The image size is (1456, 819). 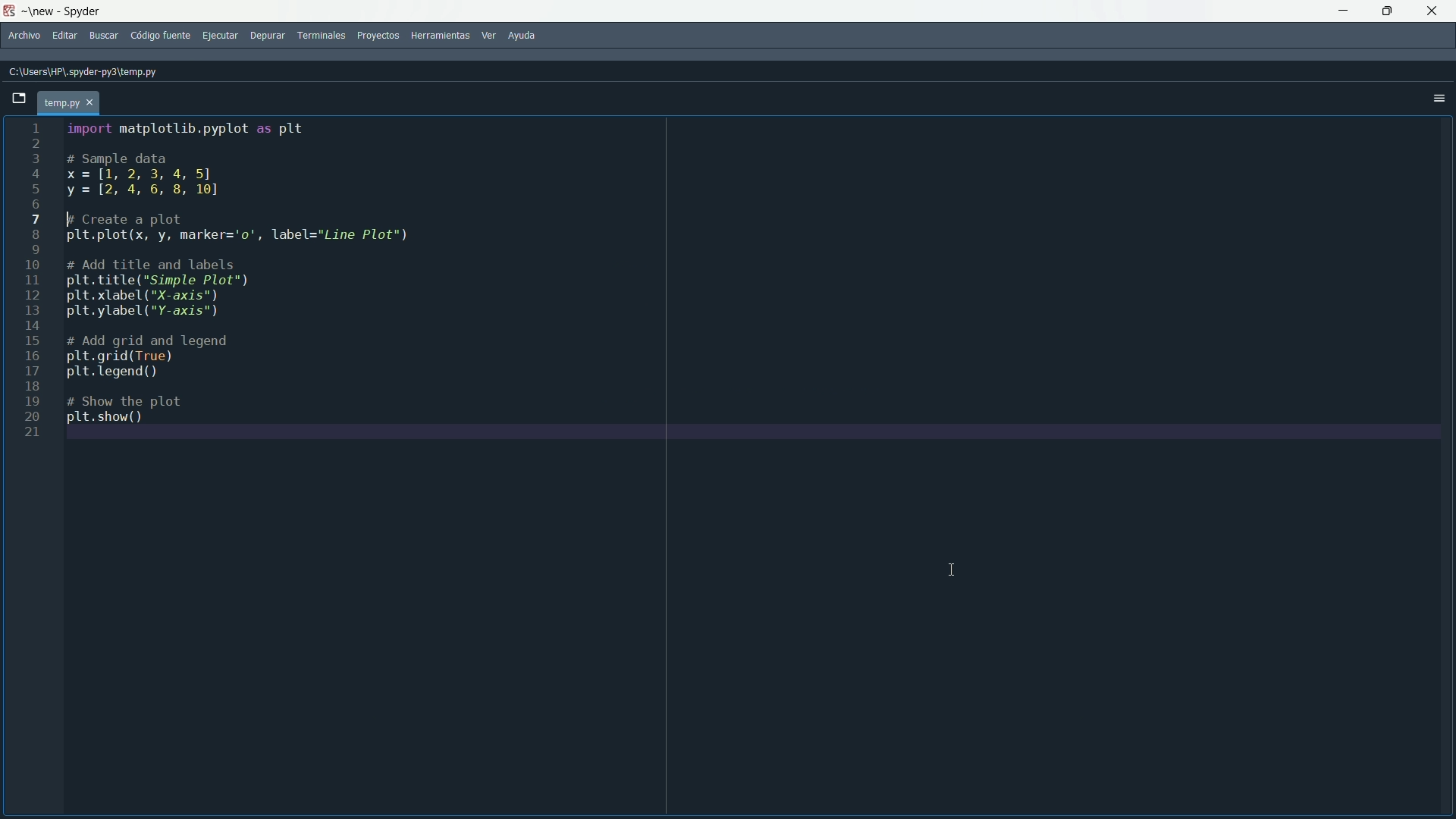 I want to click on app name, so click(x=82, y=13).